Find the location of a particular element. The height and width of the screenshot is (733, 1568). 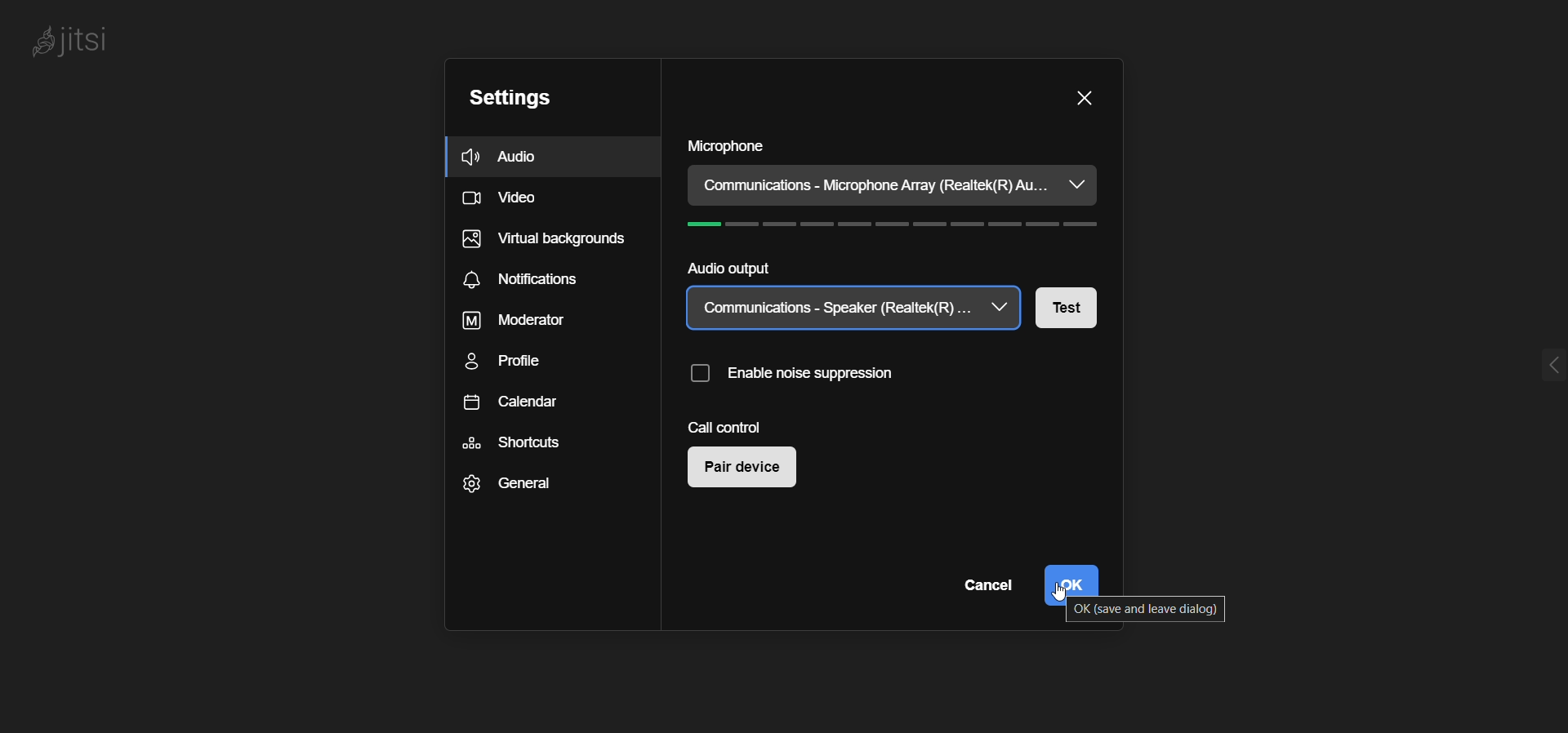

virtual backgrounds is located at coordinates (543, 243).